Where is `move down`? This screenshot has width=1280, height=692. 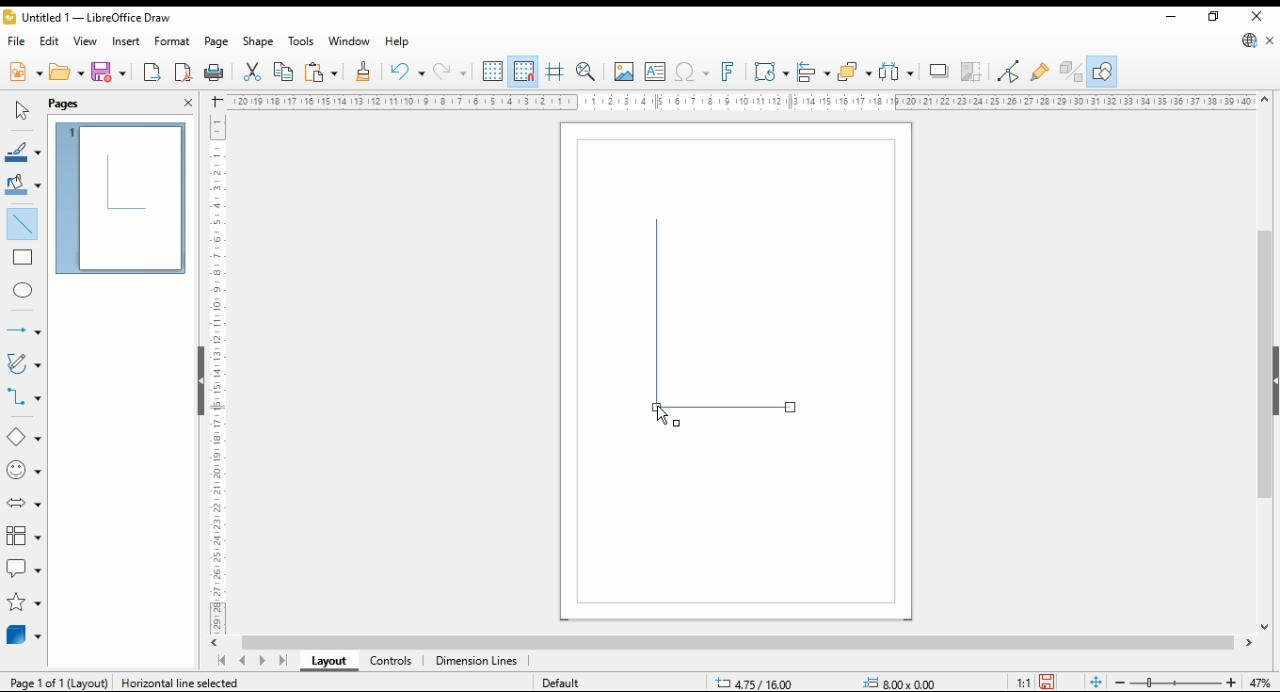 move down is located at coordinates (1265, 629).